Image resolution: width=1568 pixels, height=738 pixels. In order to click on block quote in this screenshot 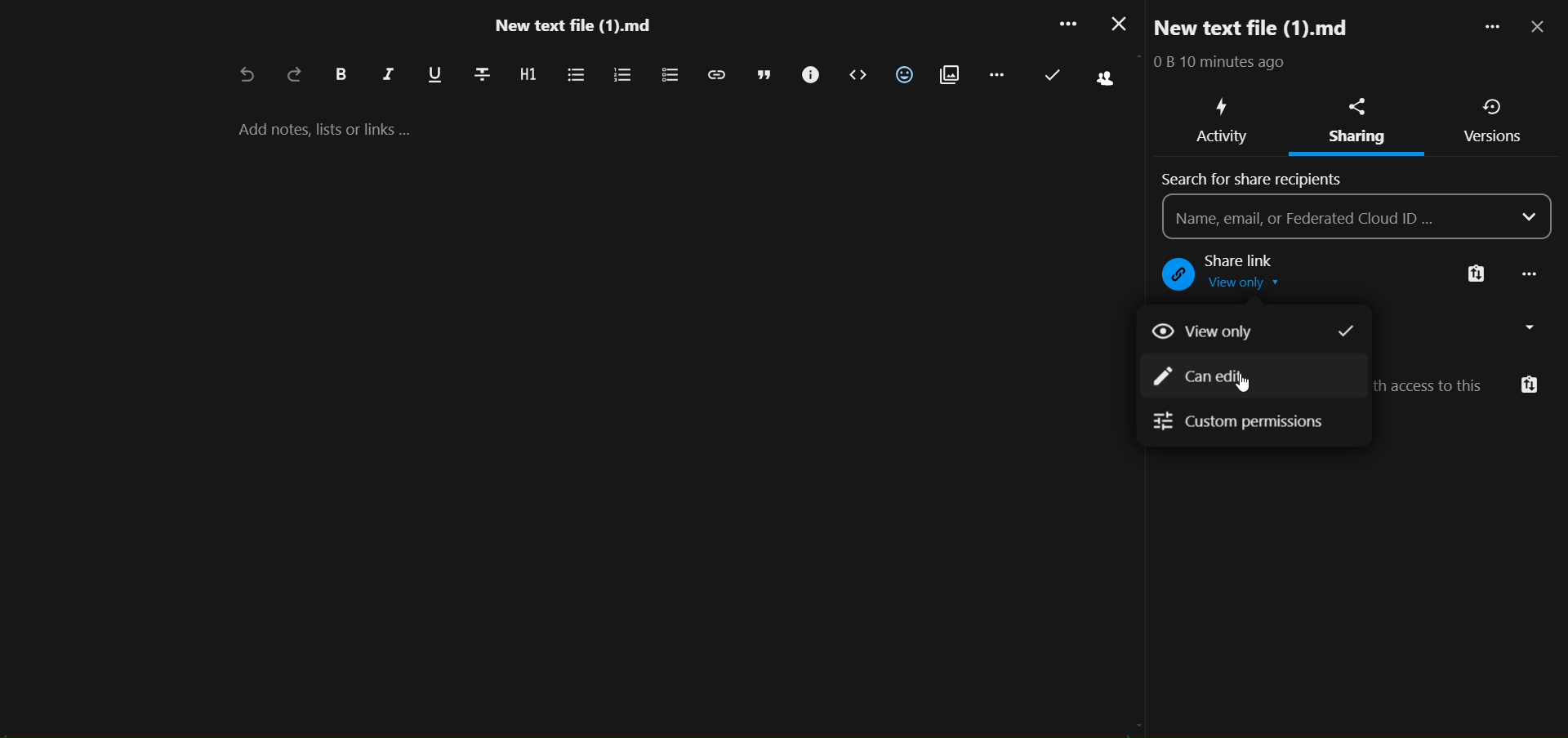, I will do `click(765, 75)`.